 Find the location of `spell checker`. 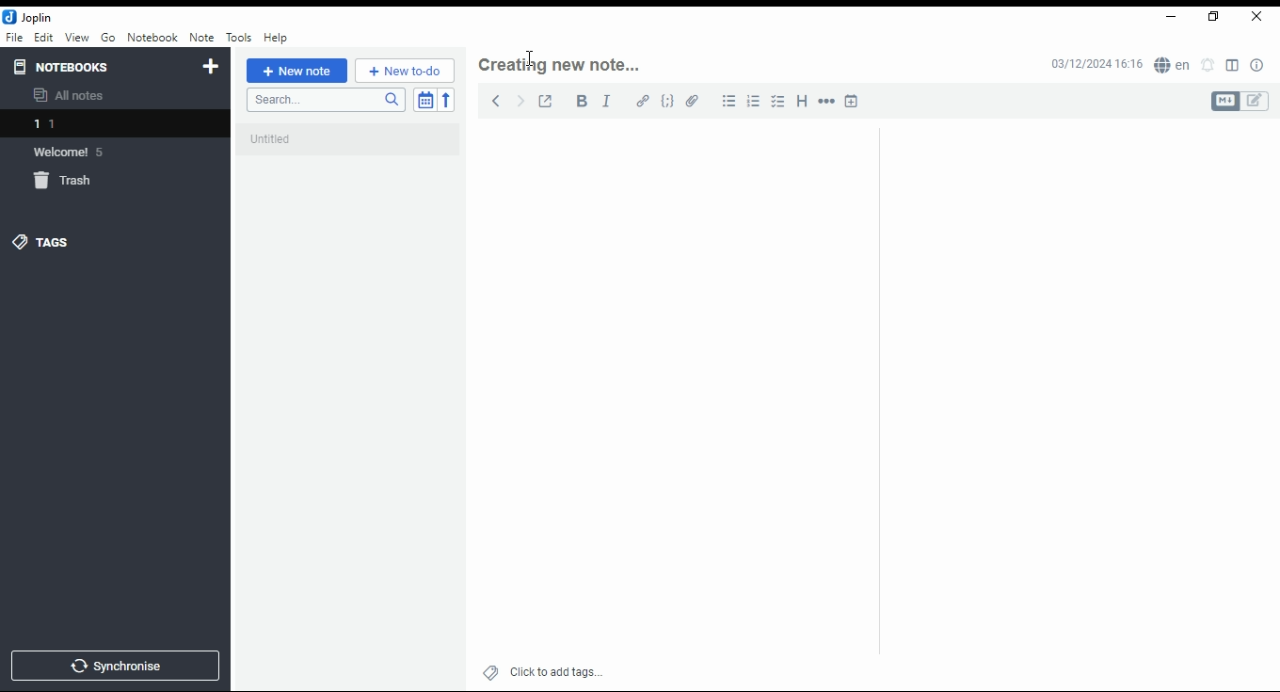

spell checker is located at coordinates (1174, 64).